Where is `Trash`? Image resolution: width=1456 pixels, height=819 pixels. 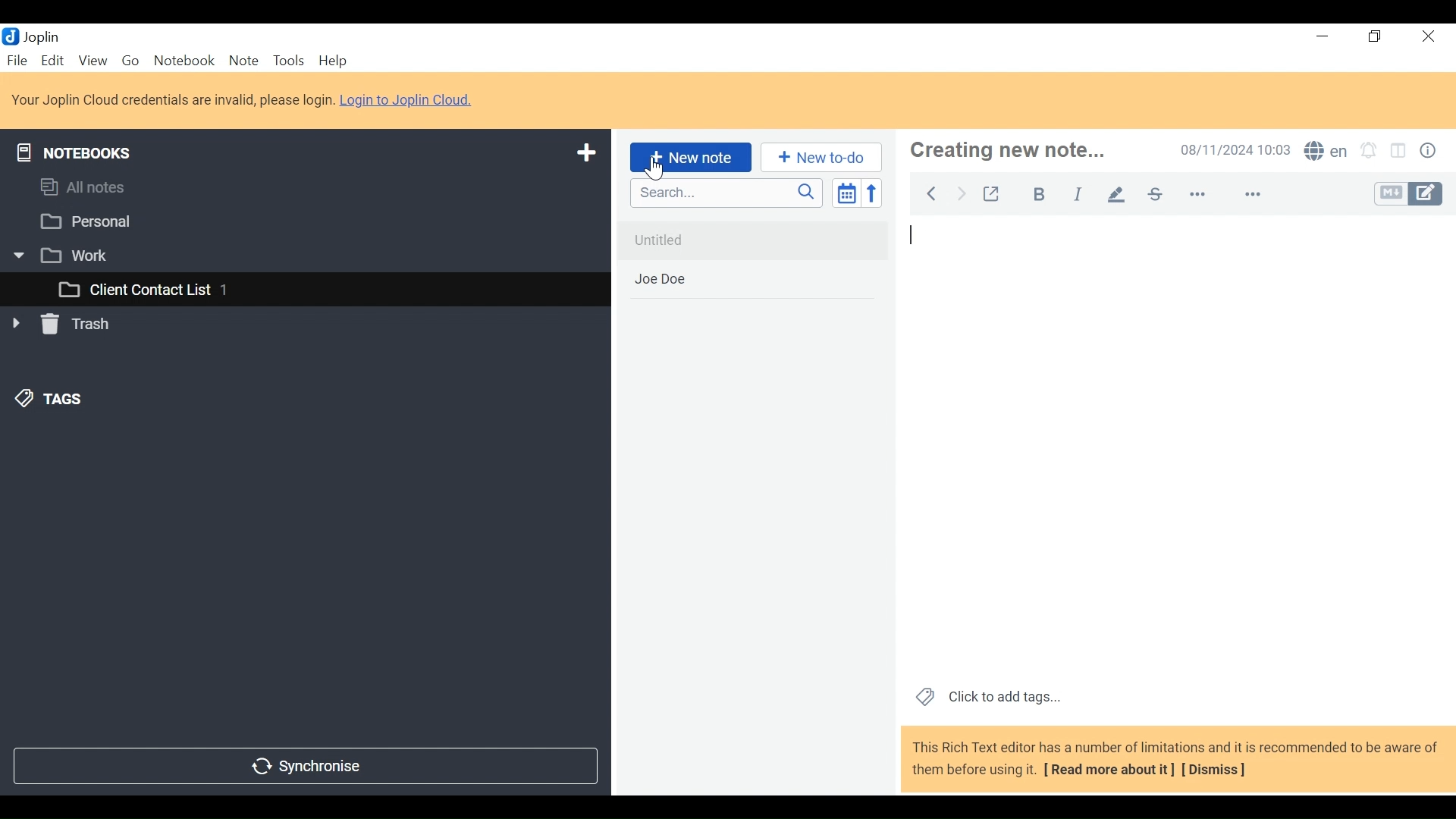
Trash is located at coordinates (64, 327).